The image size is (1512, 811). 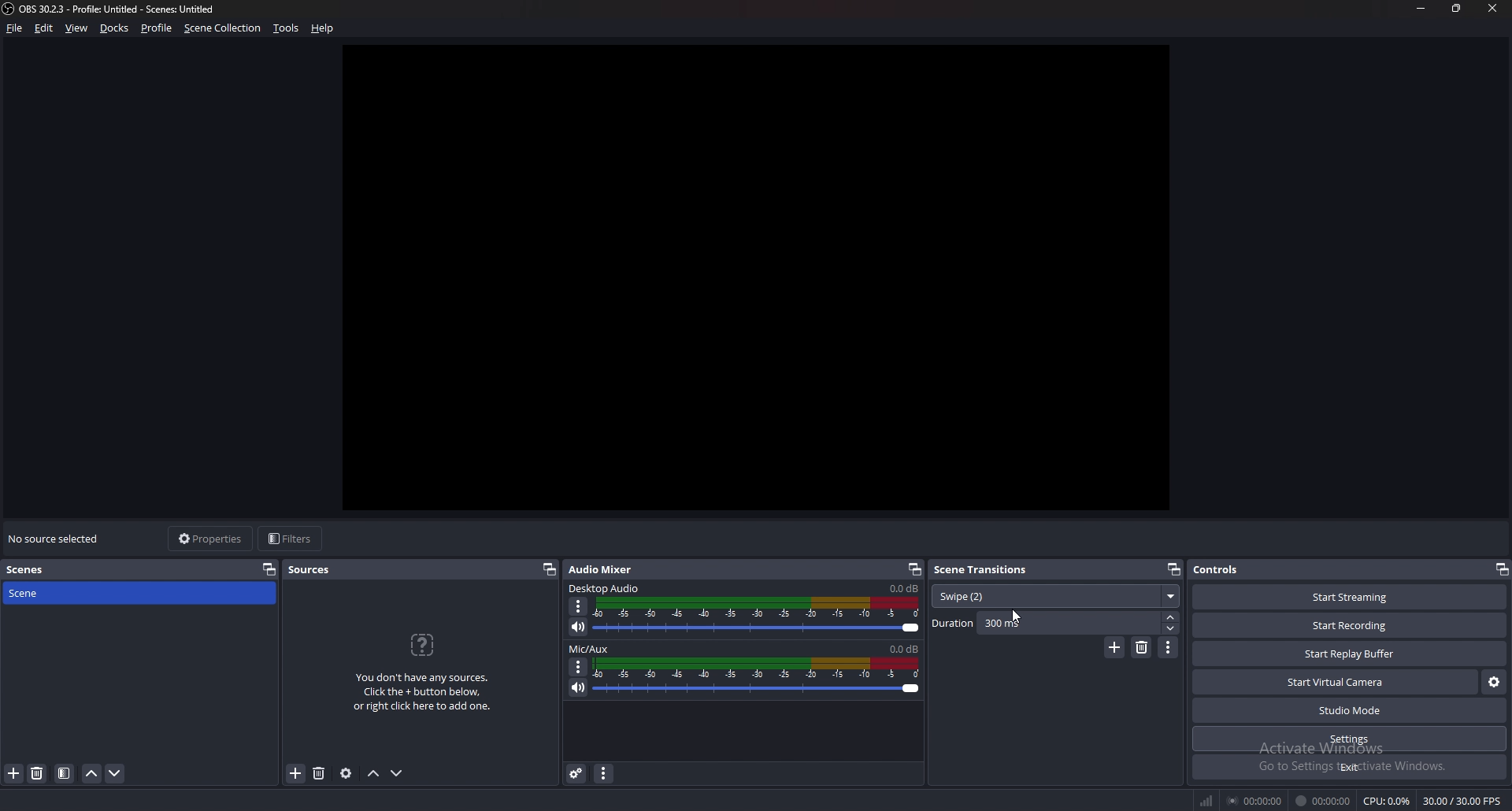 What do you see at coordinates (1143, 647) in the screenshot?
I see `remove transition` at bounding box center [1143, 647].